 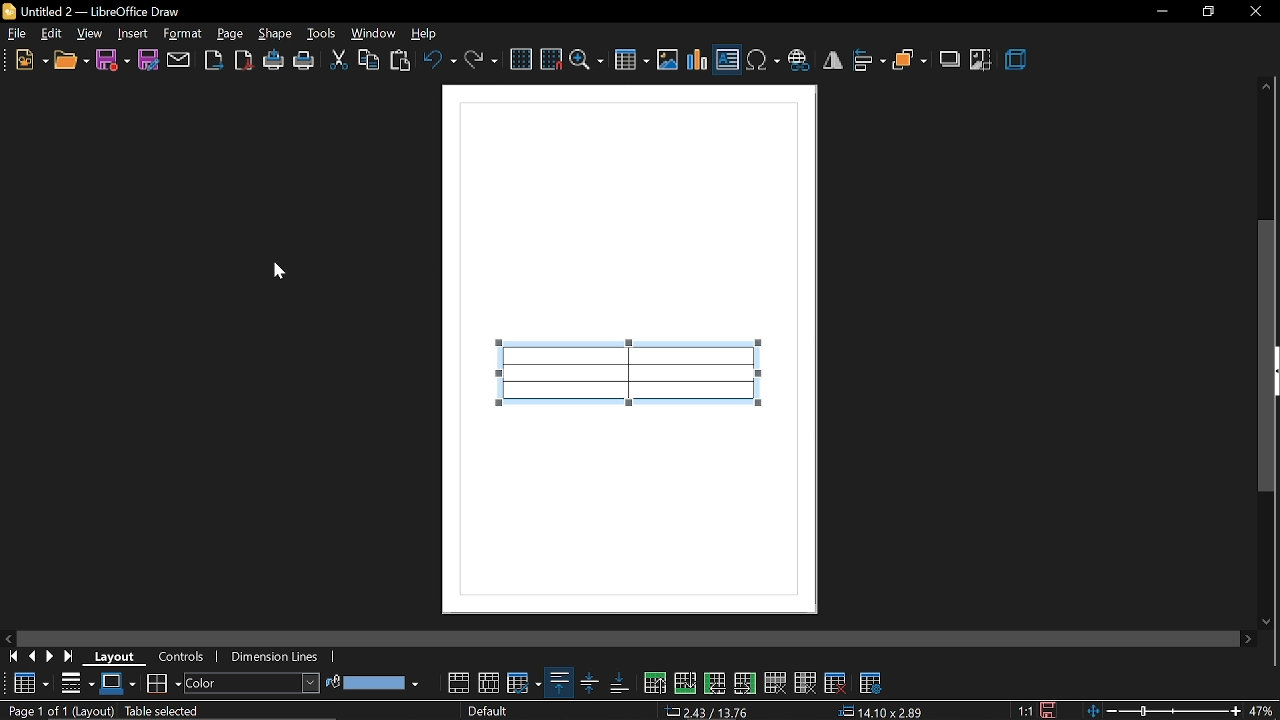 I want to click on shadow, so click(x=949, y=61).